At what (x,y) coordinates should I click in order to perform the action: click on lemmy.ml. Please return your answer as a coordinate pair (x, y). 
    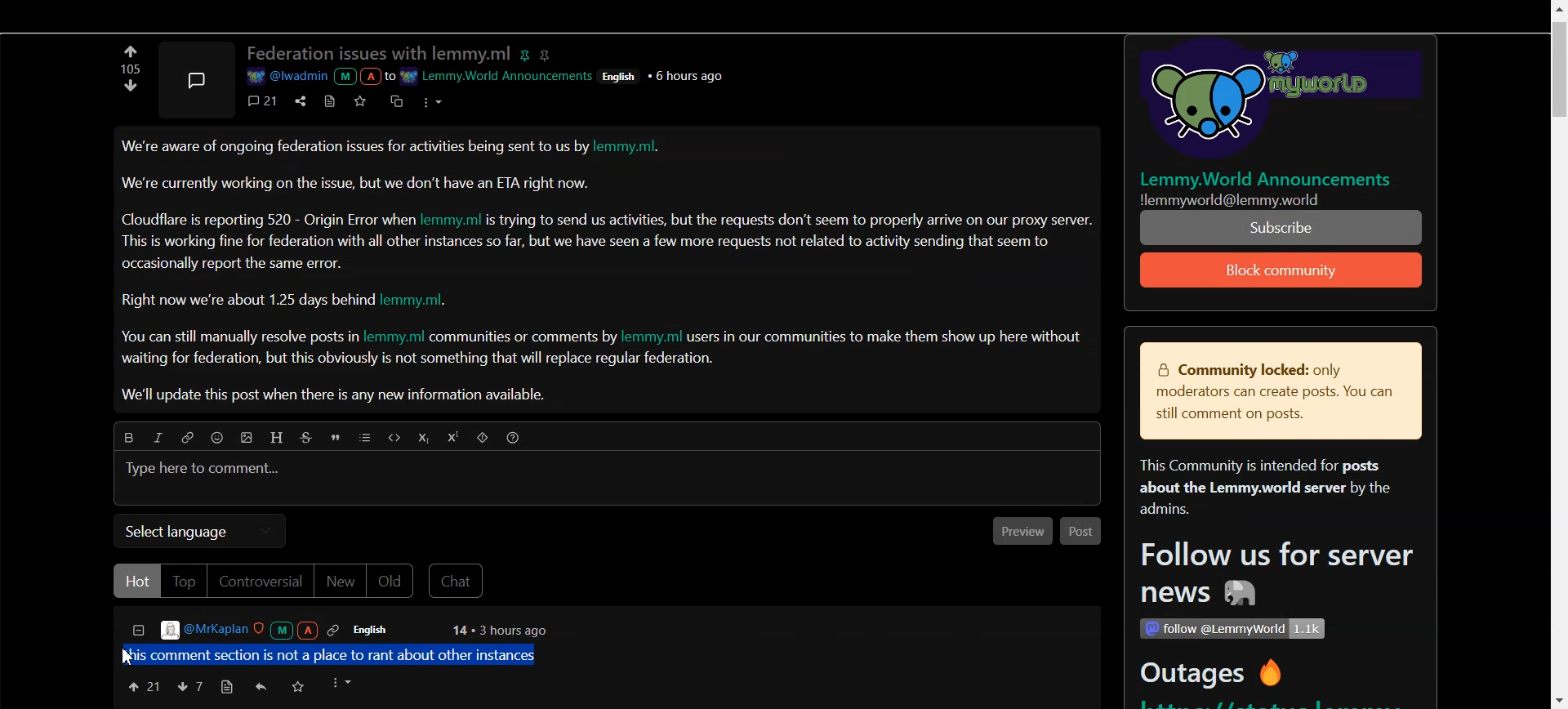
    Looking at the image, I should click on (453, 218).